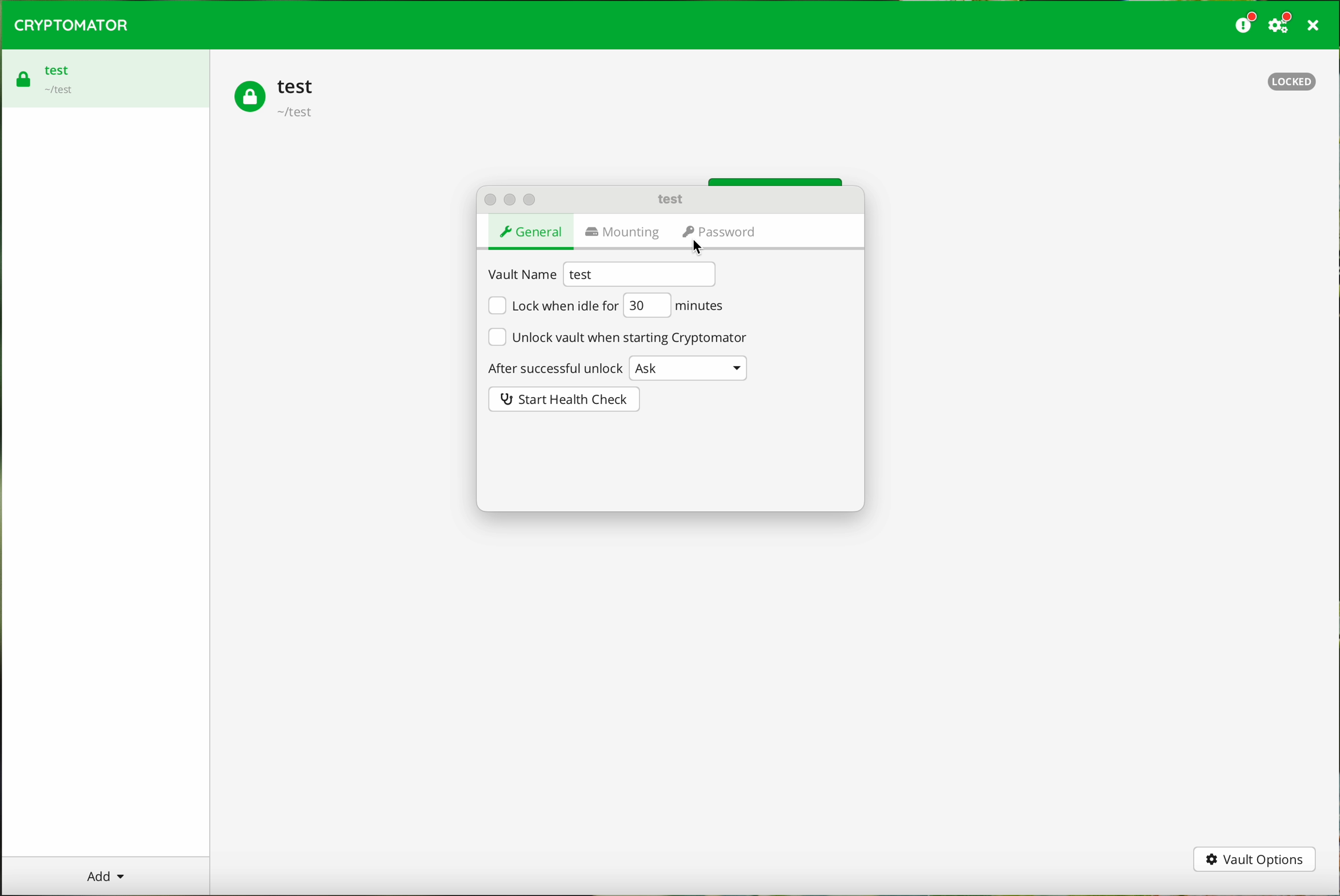  What do you see at coordinates (646, 305) in the screenshot?
I see `30 ` at bounding box center [646, 305].